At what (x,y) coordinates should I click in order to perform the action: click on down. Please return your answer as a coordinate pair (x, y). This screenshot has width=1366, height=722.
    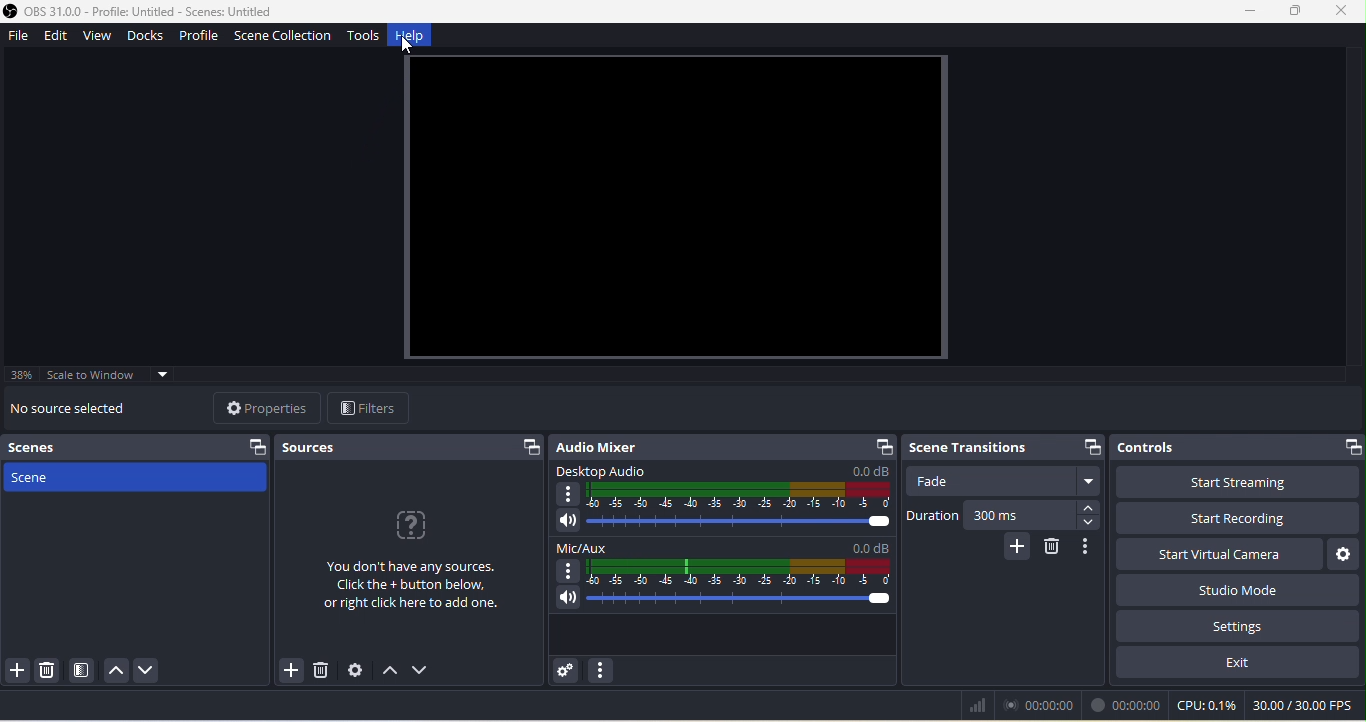
    Looking at the image, I should click on (425, 672).